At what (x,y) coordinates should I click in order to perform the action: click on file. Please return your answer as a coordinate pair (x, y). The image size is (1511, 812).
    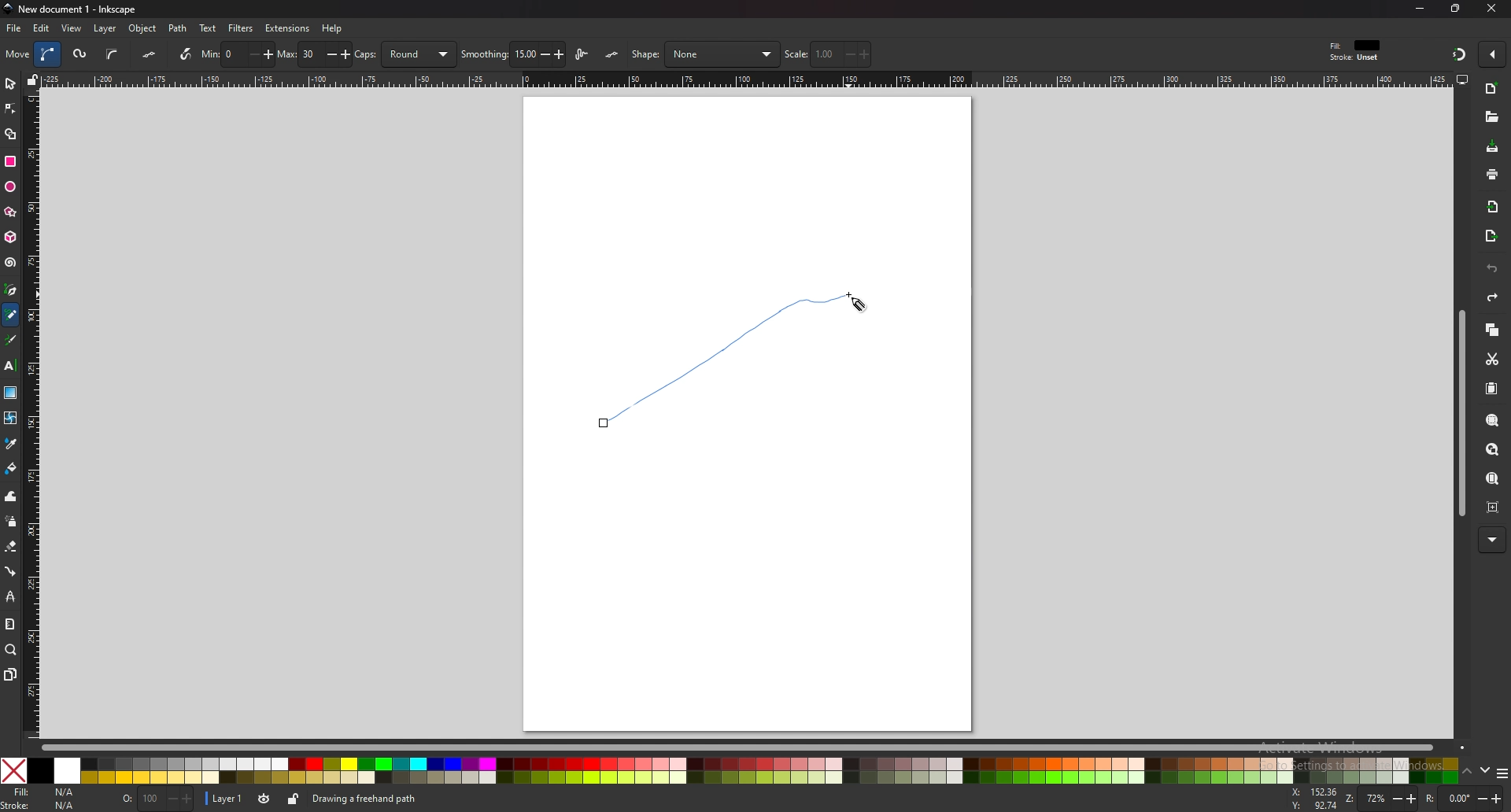
    Looking at the image, I should click on (16, 28).